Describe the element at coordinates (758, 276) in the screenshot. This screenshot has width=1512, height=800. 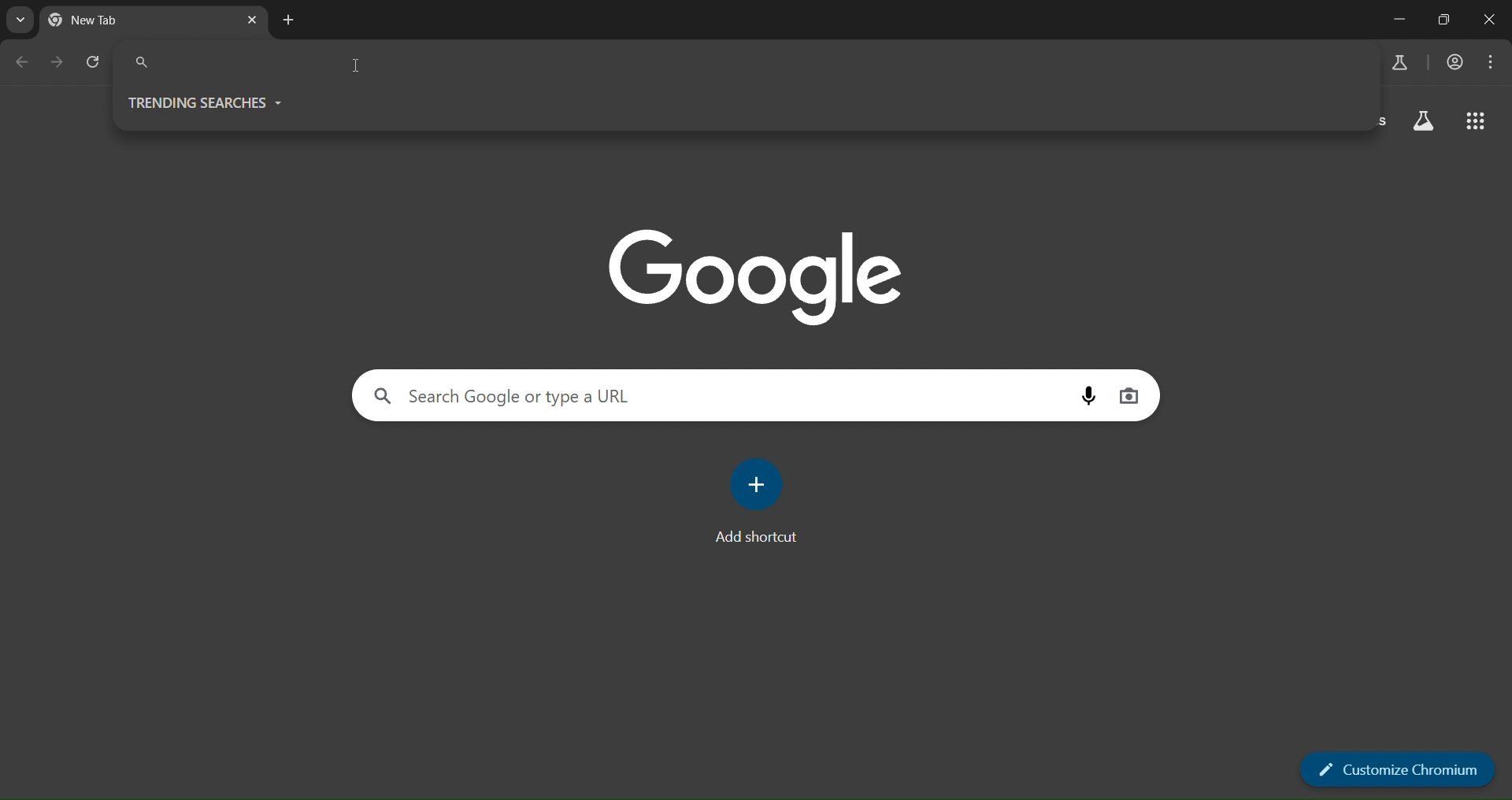
I see `google` at that location.